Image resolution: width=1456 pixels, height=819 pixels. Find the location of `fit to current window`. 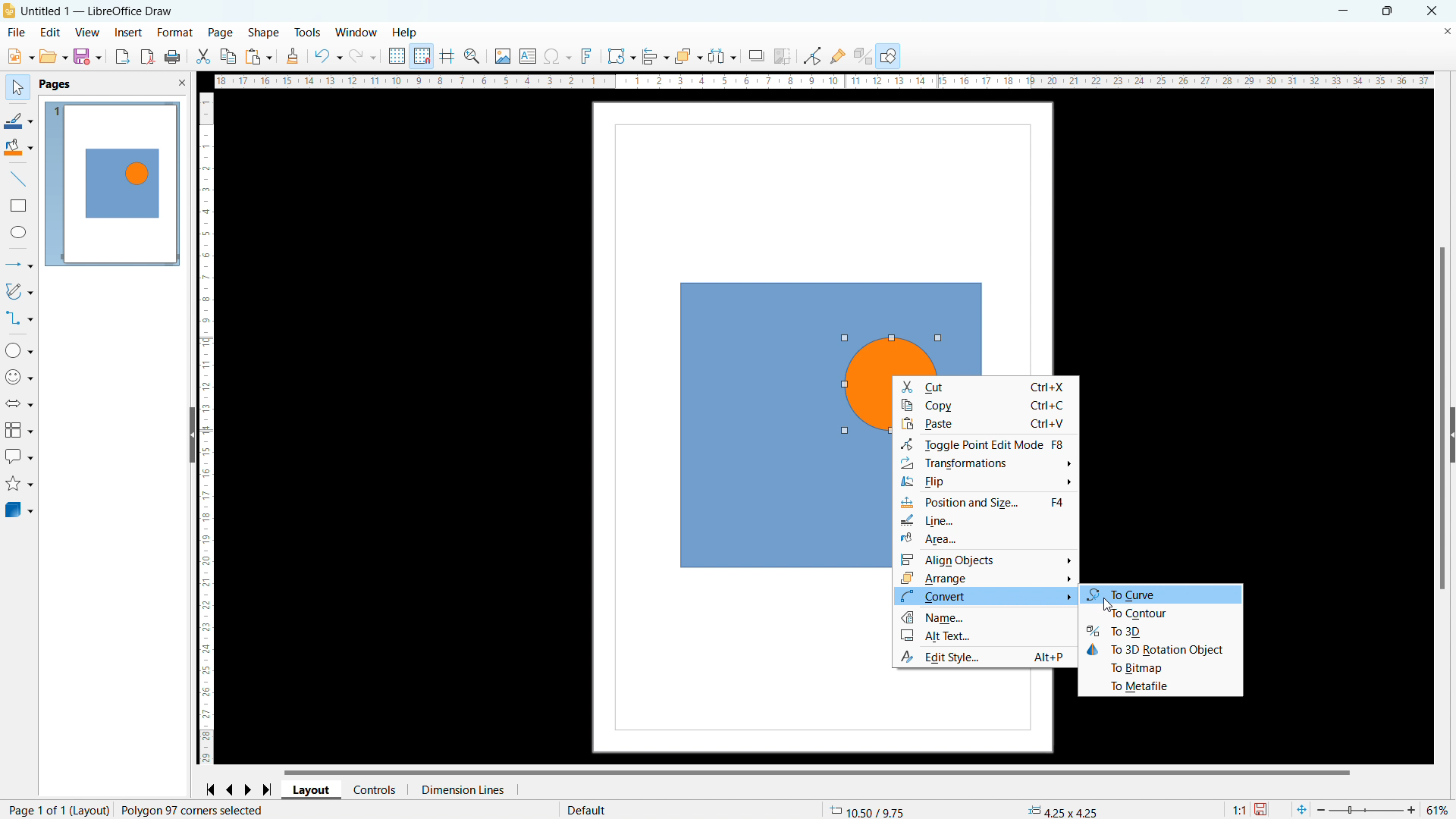

fit to current window is located at coordinates (1301, 809).